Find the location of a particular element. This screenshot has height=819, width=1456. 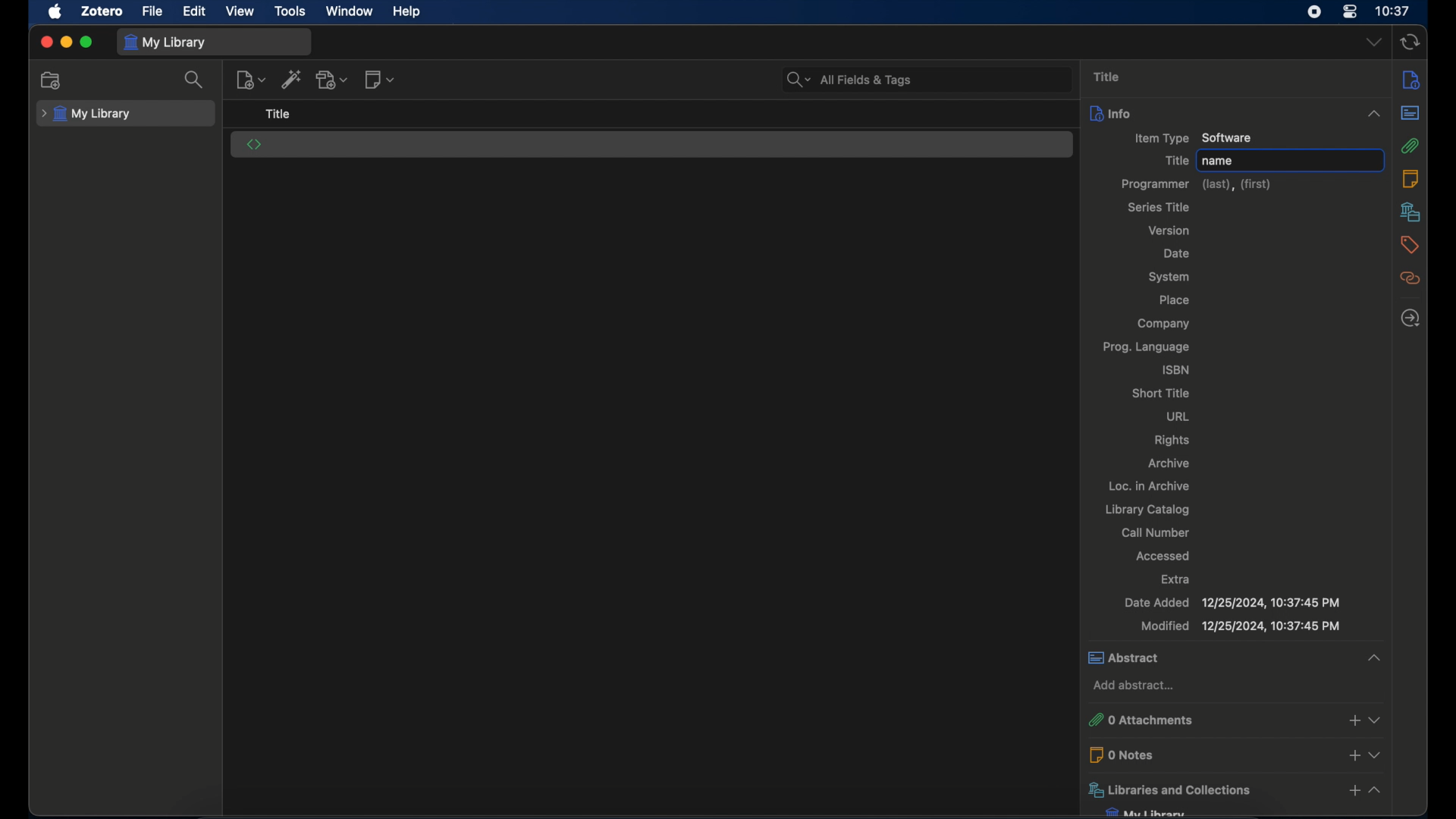

10.37 is located at coordinates (1393, 12).